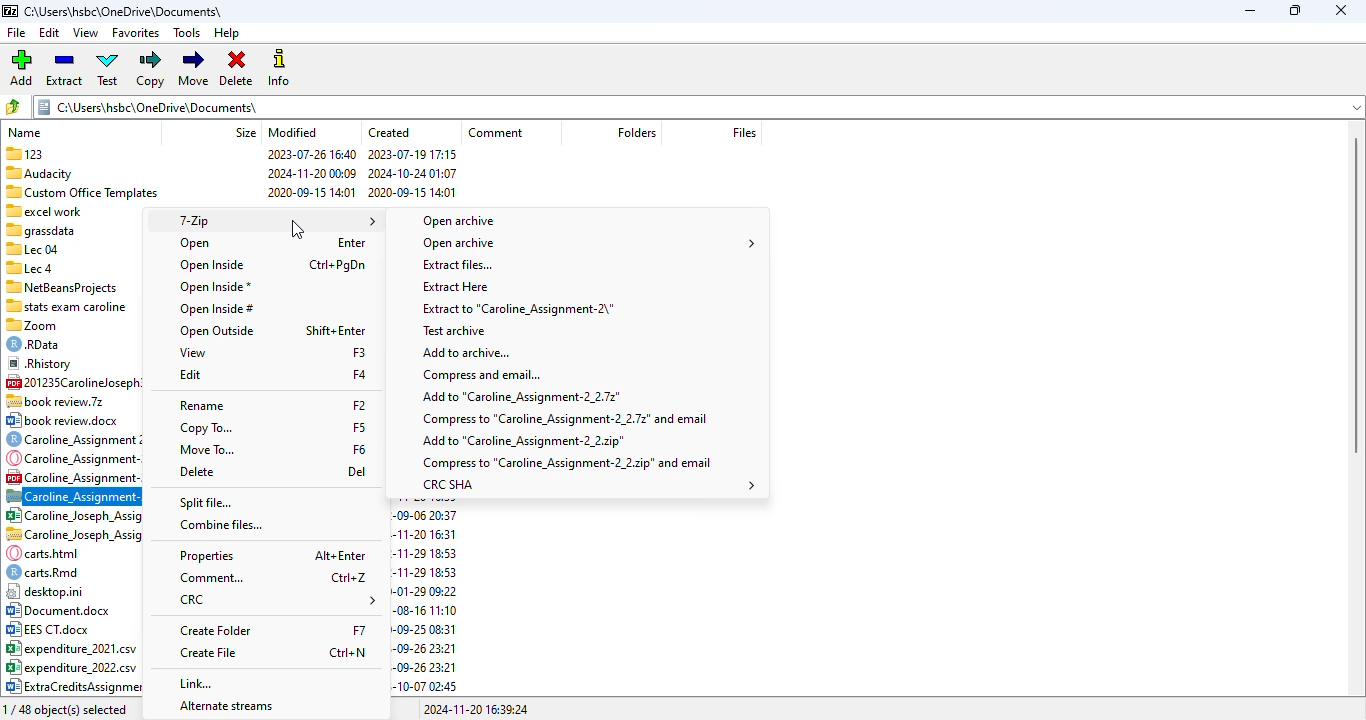 This screenshot has width=1366, height=720. I want to click on combine files, so click(222, 525).